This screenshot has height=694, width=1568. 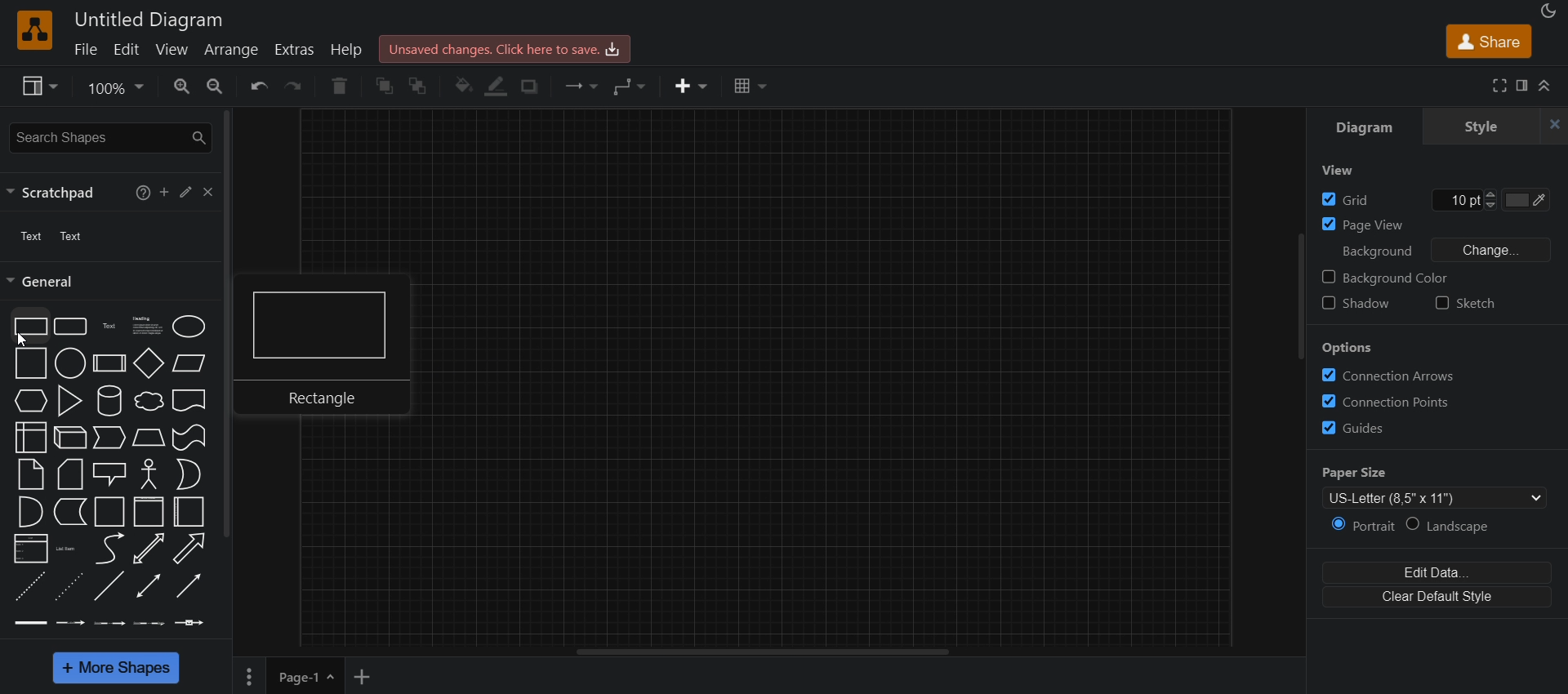 I want to click on sketch, so click(x=1468, y=304).